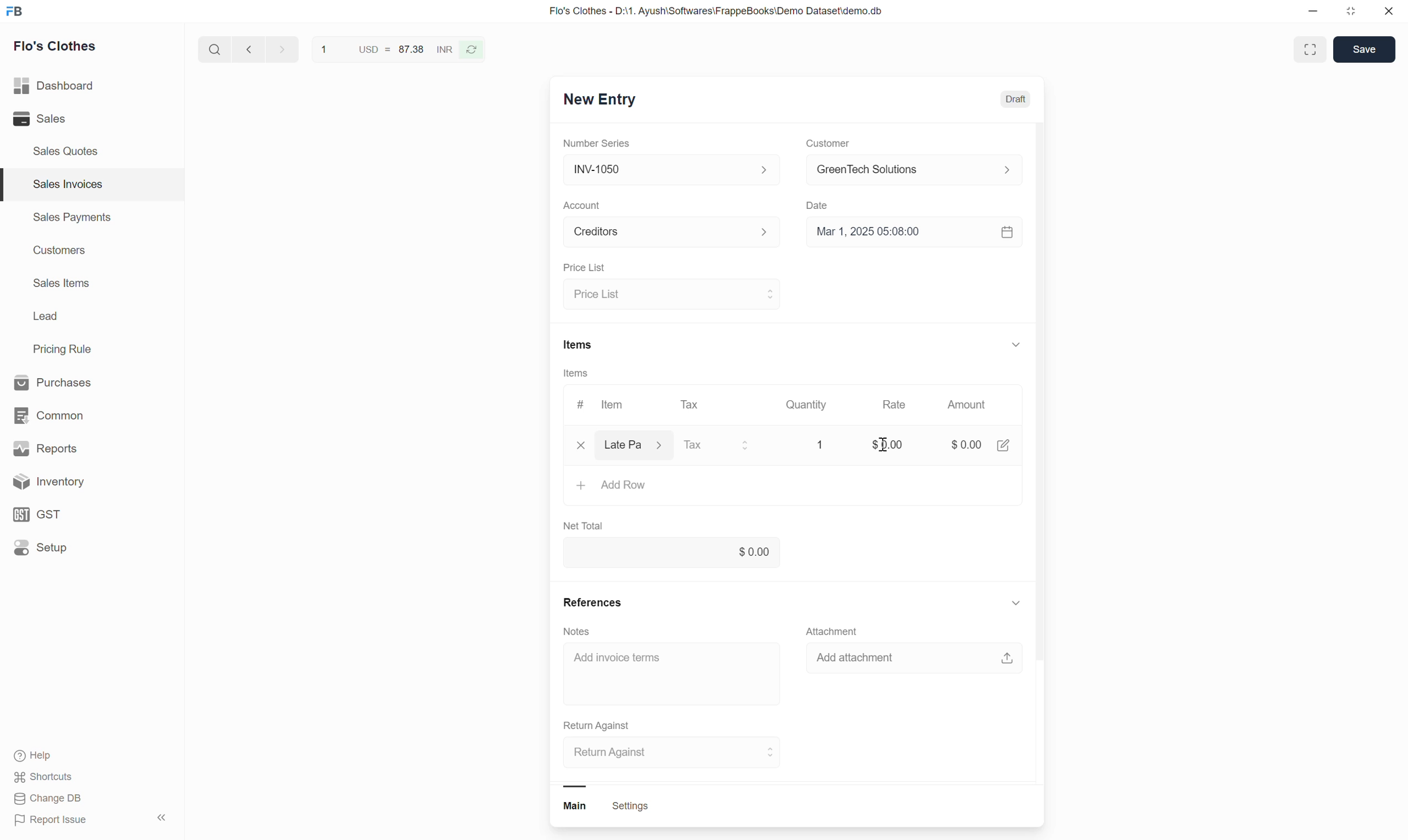 This screenshot has height=840, width=1408. I want to click on Amount, so click(966, 405).